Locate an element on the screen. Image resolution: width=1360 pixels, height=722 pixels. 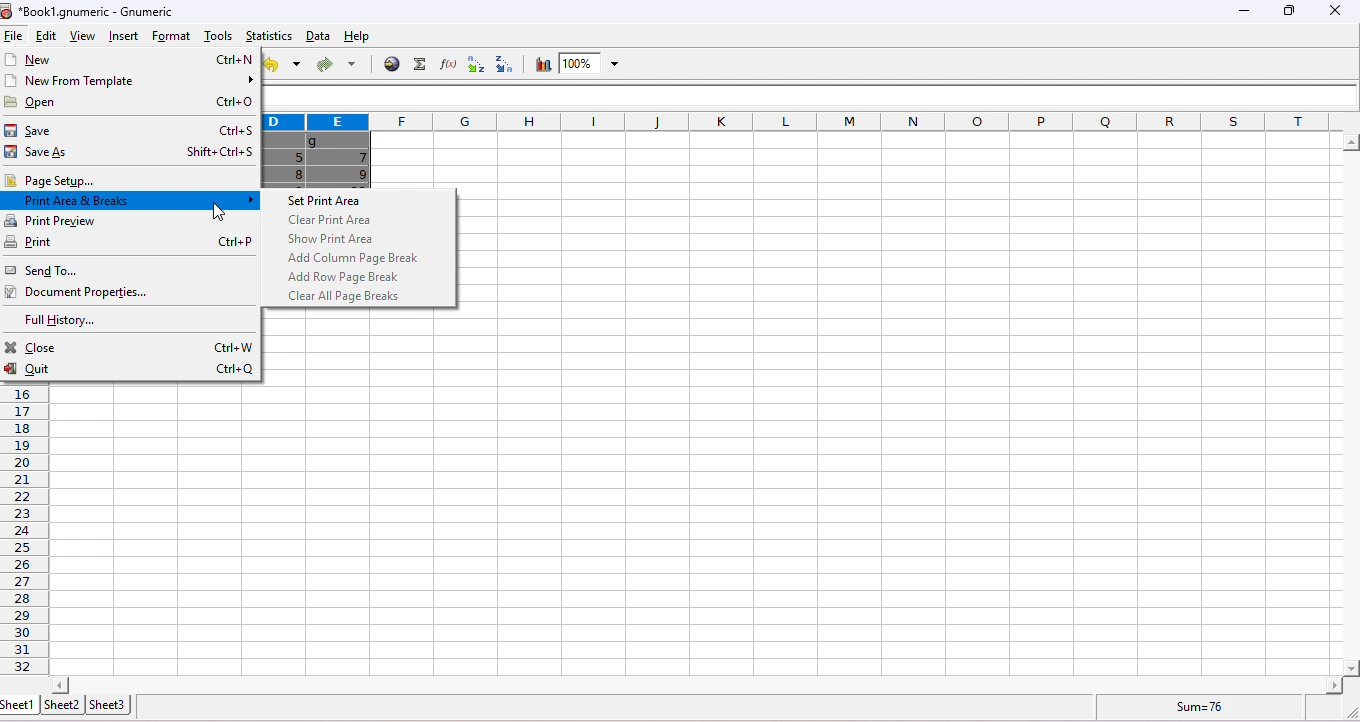
maximize is located at coordinates (1286, 11).